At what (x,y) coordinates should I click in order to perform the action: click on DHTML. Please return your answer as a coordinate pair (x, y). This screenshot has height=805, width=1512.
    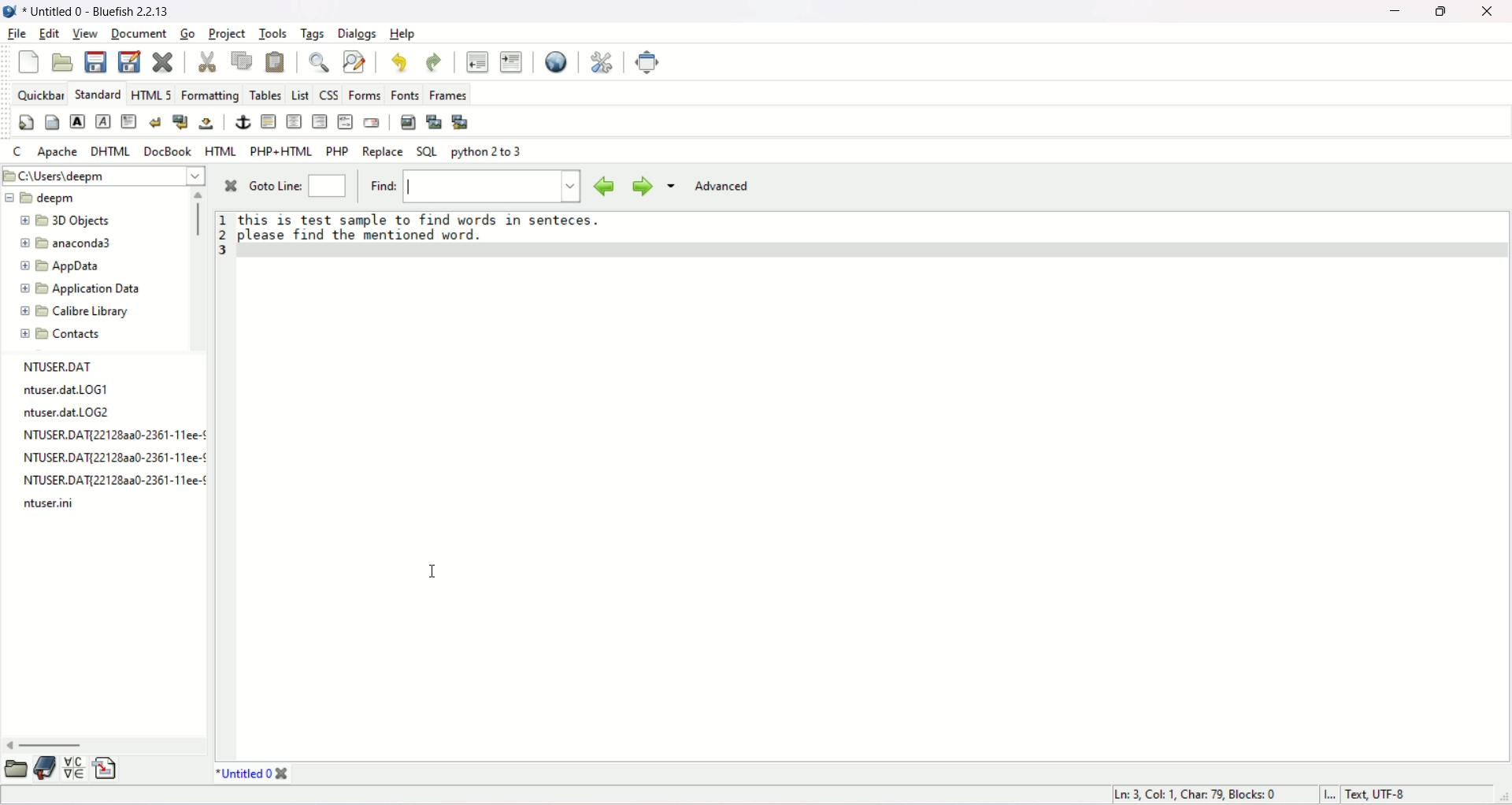
    Looking at the image, I should click on (111, 152).